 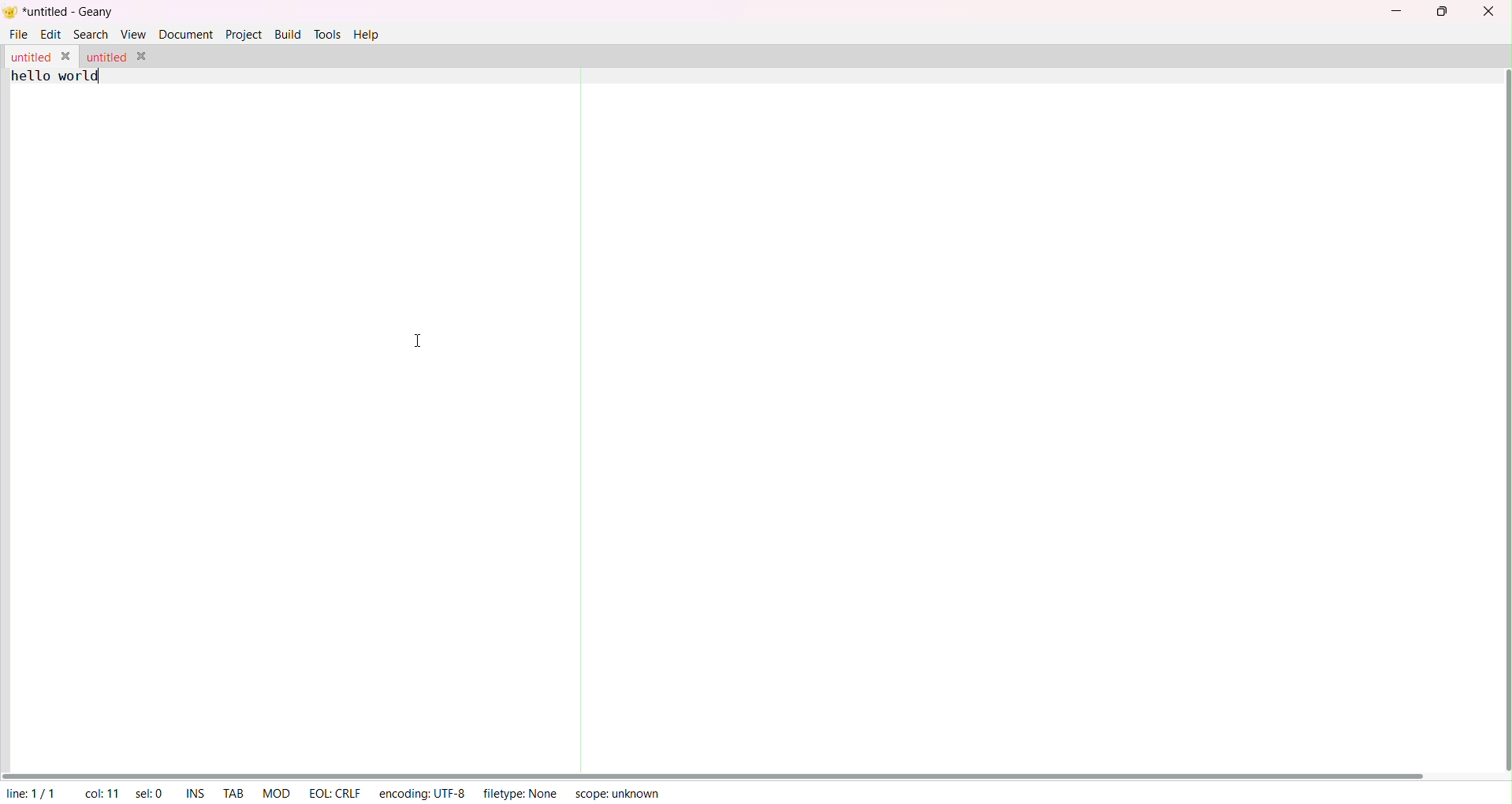 I want to click on tools, so click(x=326, y=35).